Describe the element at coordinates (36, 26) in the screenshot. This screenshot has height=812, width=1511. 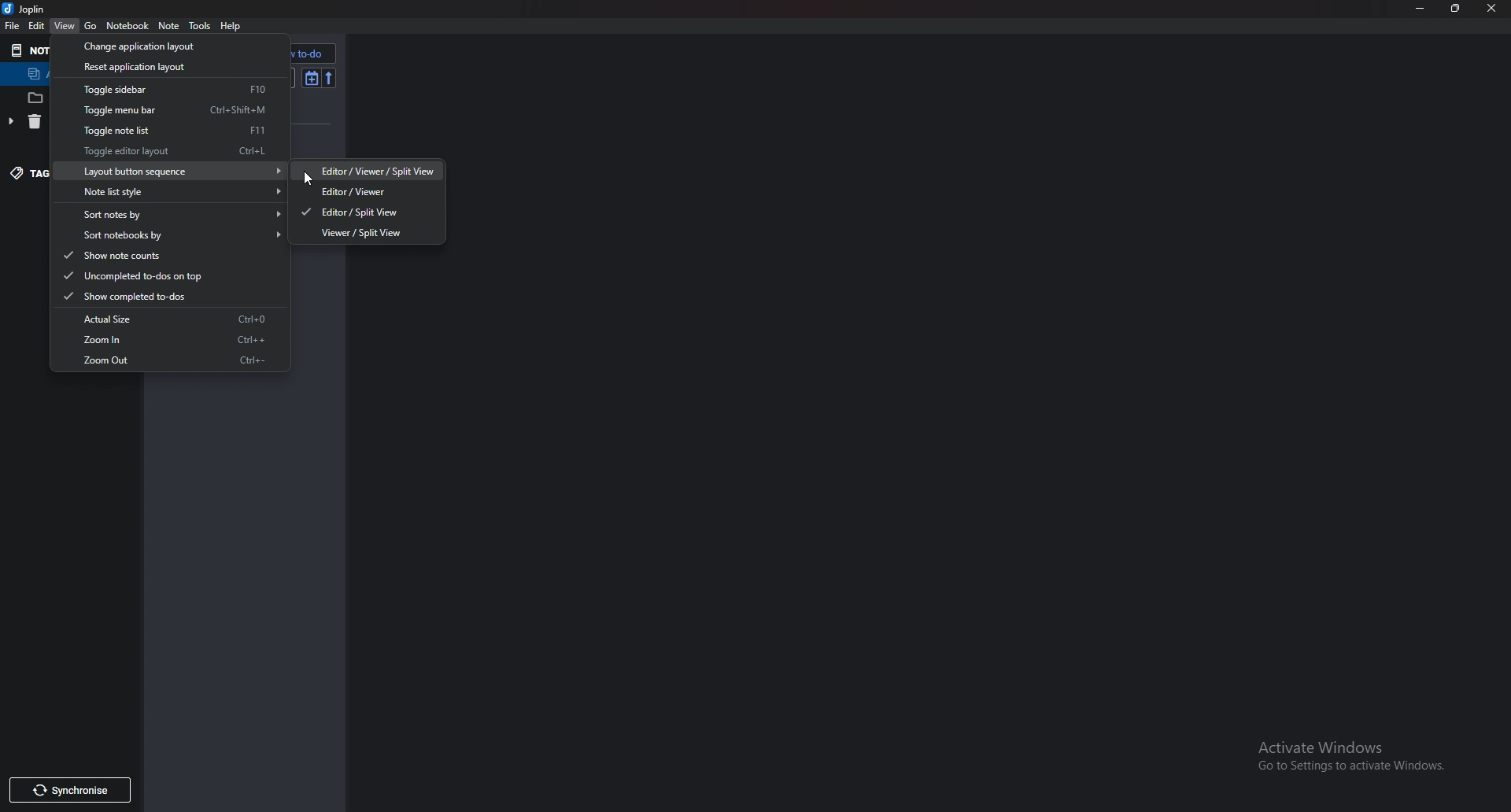
I see `Edit` at that location.